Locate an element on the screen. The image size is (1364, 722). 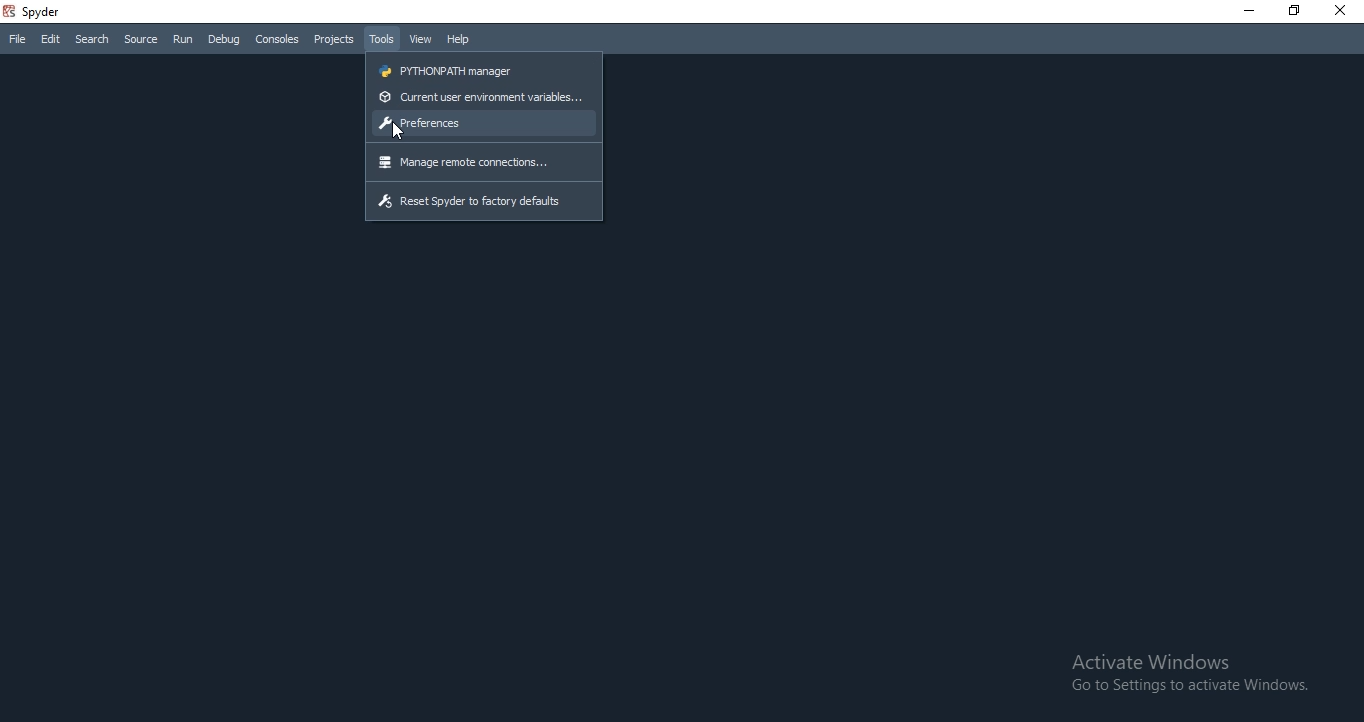
Tools is located at coordinates (380, 39).